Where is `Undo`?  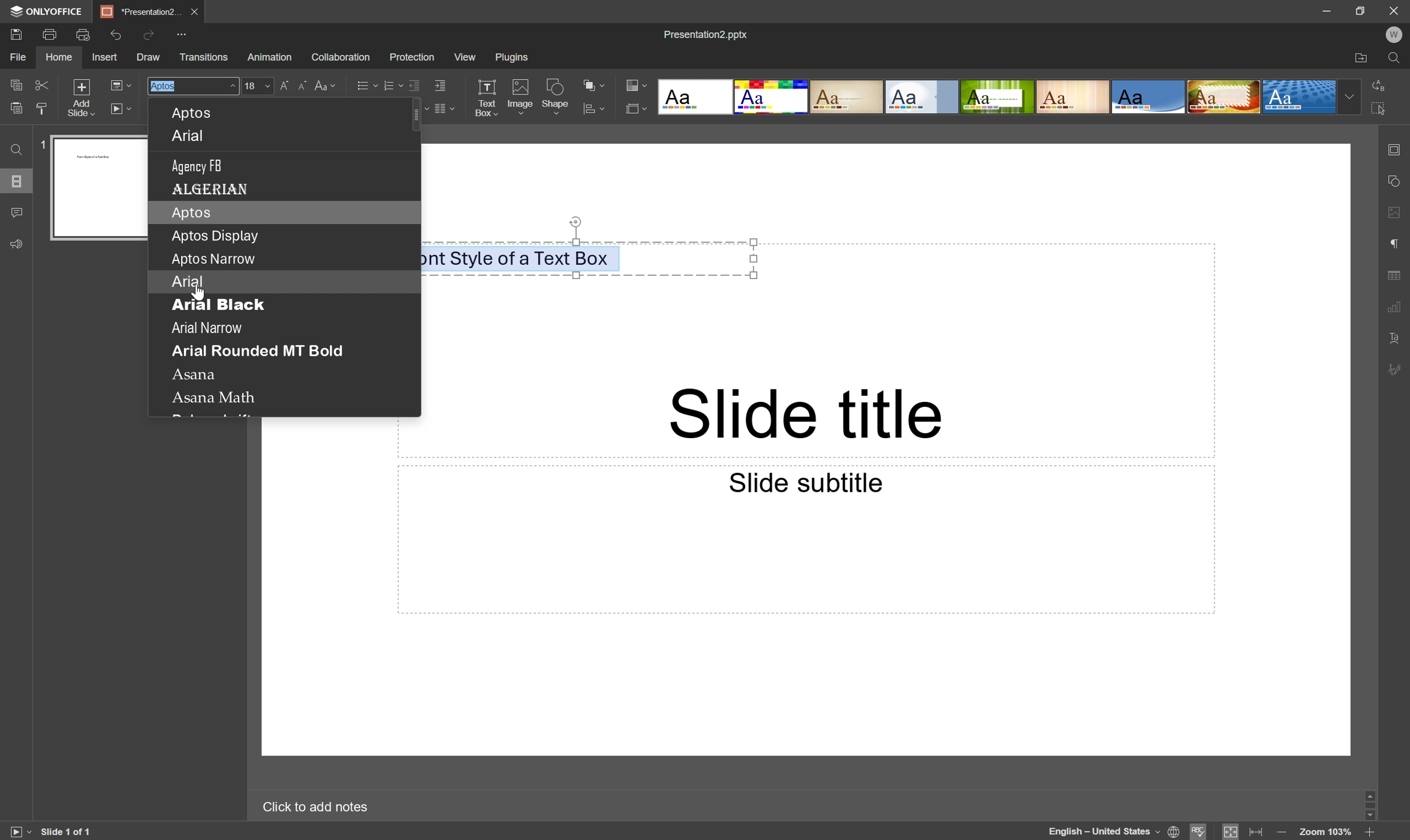 Undo is located at coordinates (119, 33).